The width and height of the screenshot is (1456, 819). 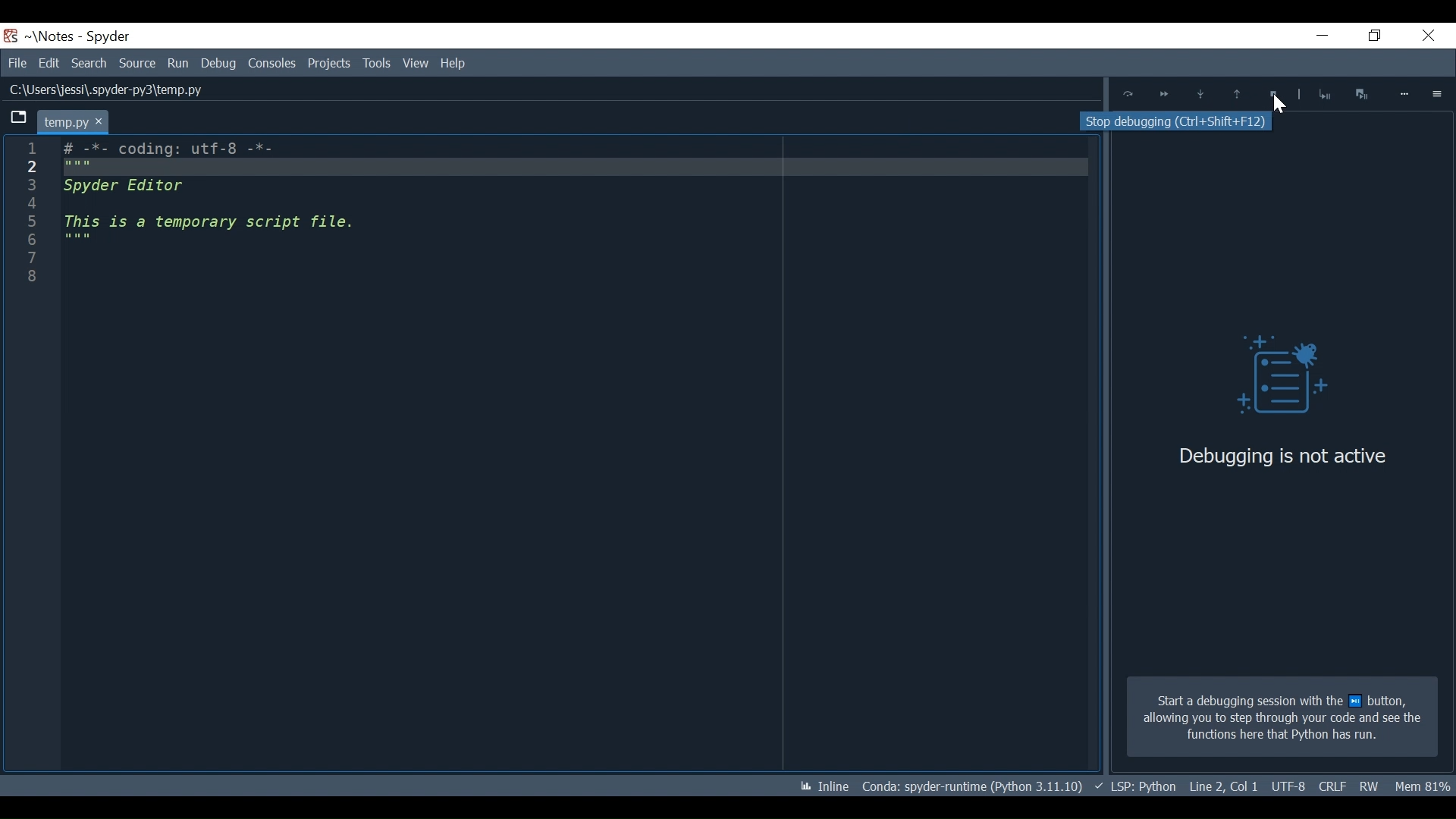 I want to click on Stop Debugging, so click(x=1324, y=94).